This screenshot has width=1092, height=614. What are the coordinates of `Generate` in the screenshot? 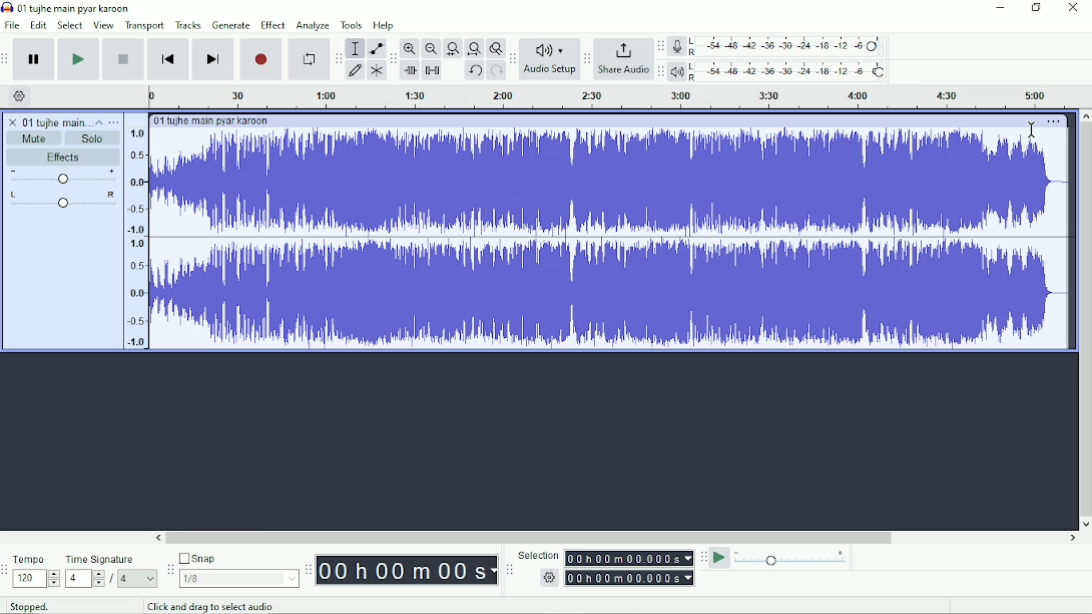 It's located at (232, 24).